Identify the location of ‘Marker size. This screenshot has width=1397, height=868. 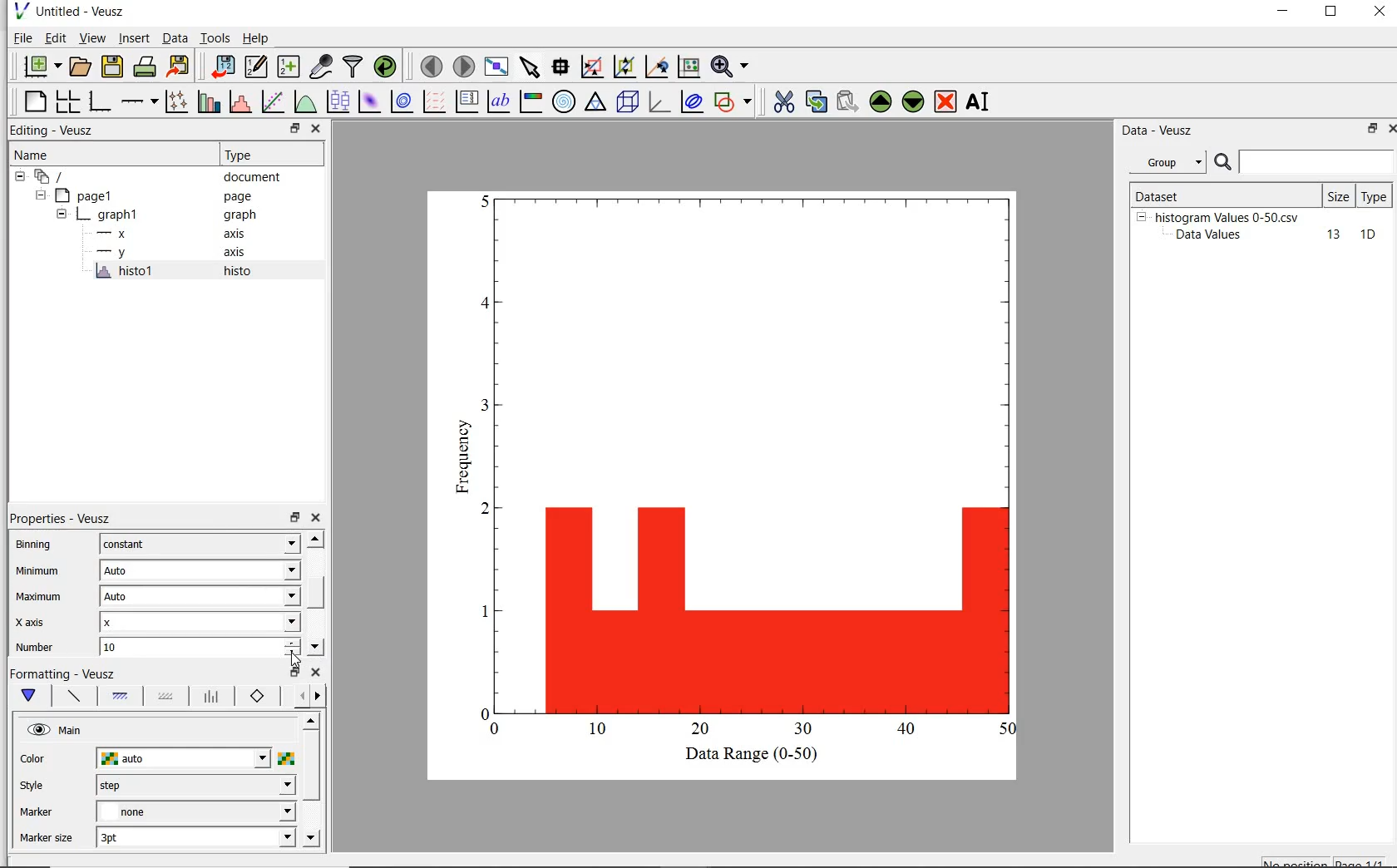
(47, 839).